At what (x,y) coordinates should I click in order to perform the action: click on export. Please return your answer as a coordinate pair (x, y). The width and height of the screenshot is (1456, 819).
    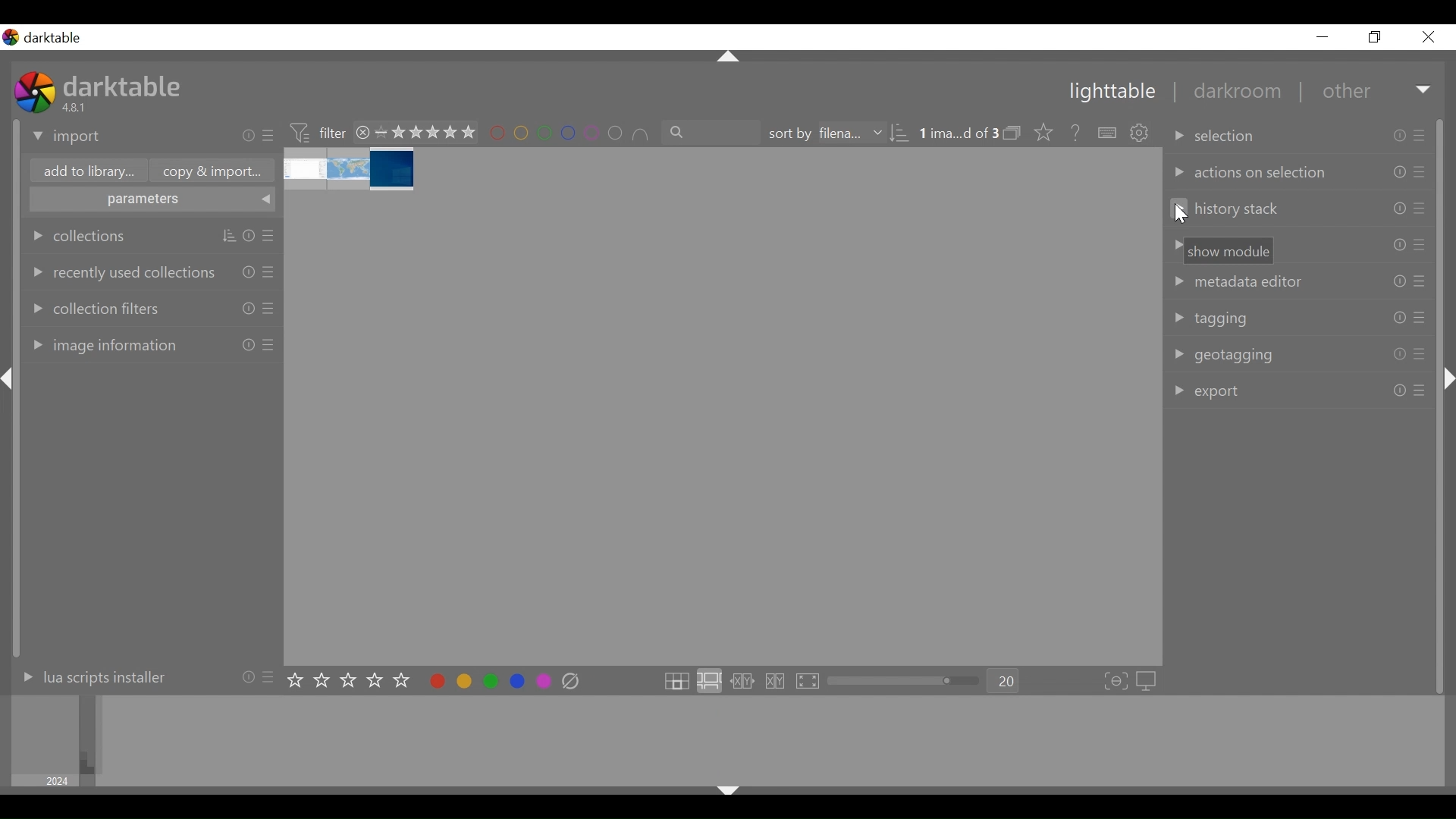
    Looking at the image, I should click on (1207, 393).